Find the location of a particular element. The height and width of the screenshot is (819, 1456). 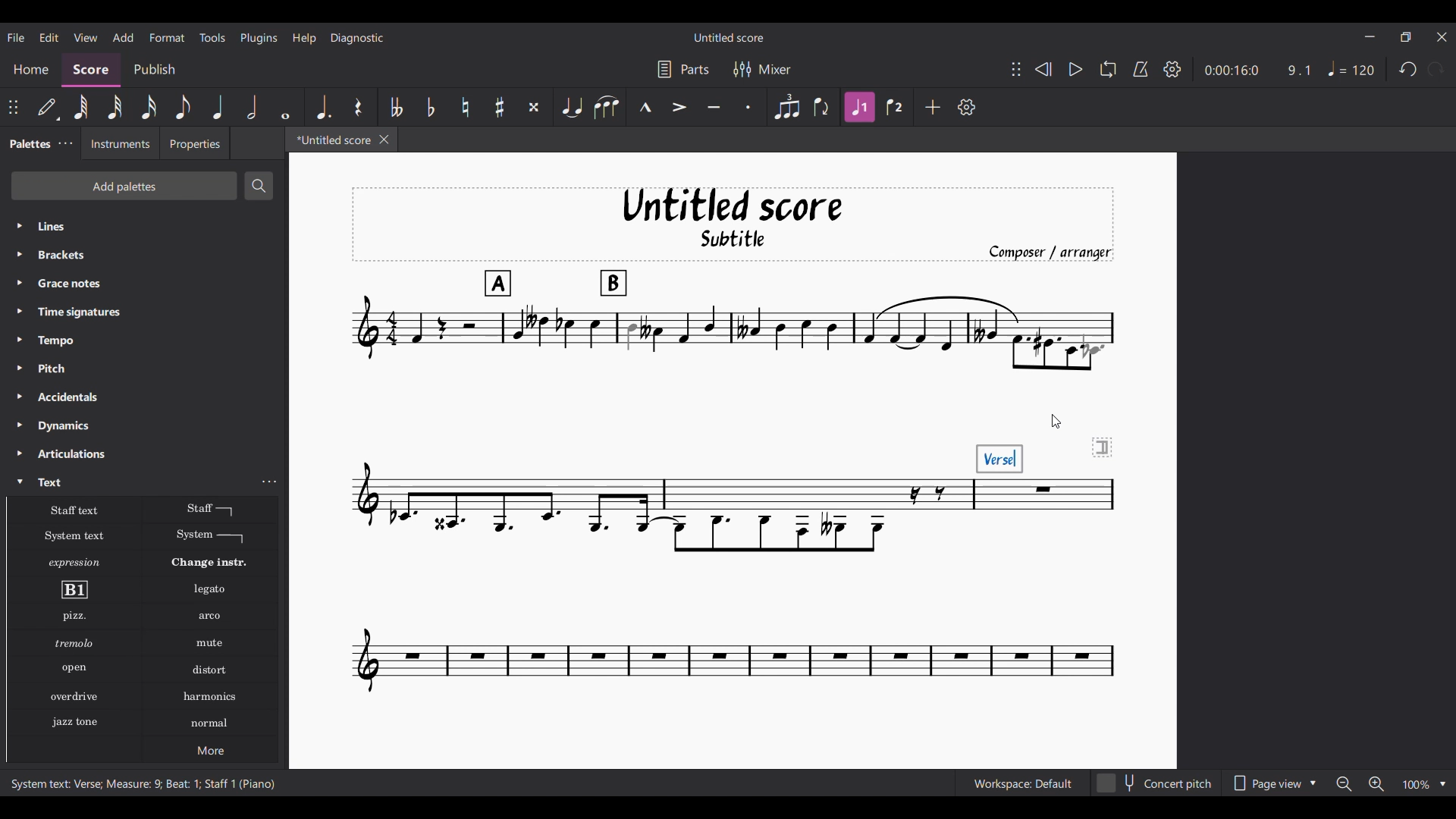

Instruments is located at coordinates (119, 143).